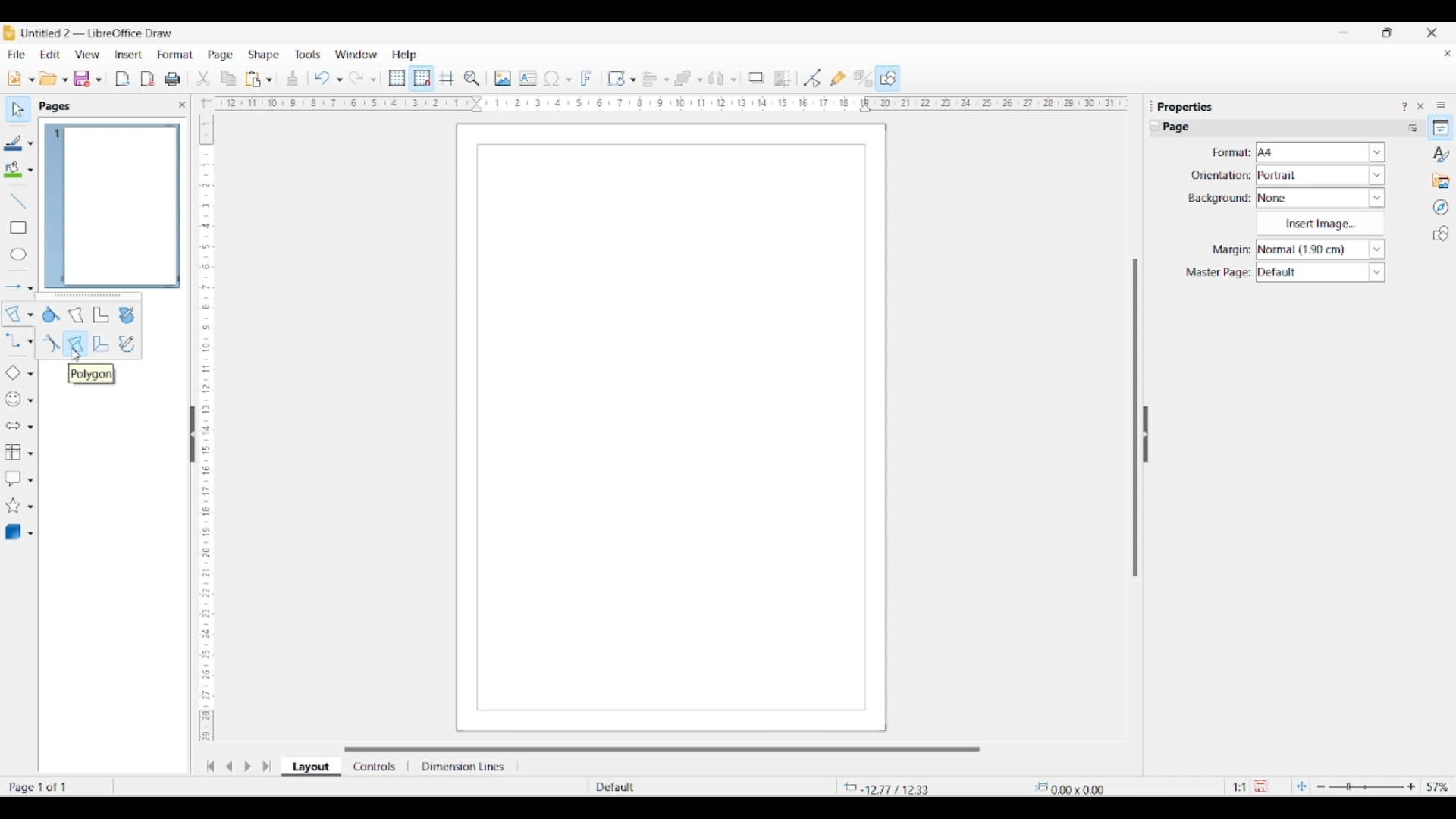  I want to click on Insert image, so click(1320, 224).